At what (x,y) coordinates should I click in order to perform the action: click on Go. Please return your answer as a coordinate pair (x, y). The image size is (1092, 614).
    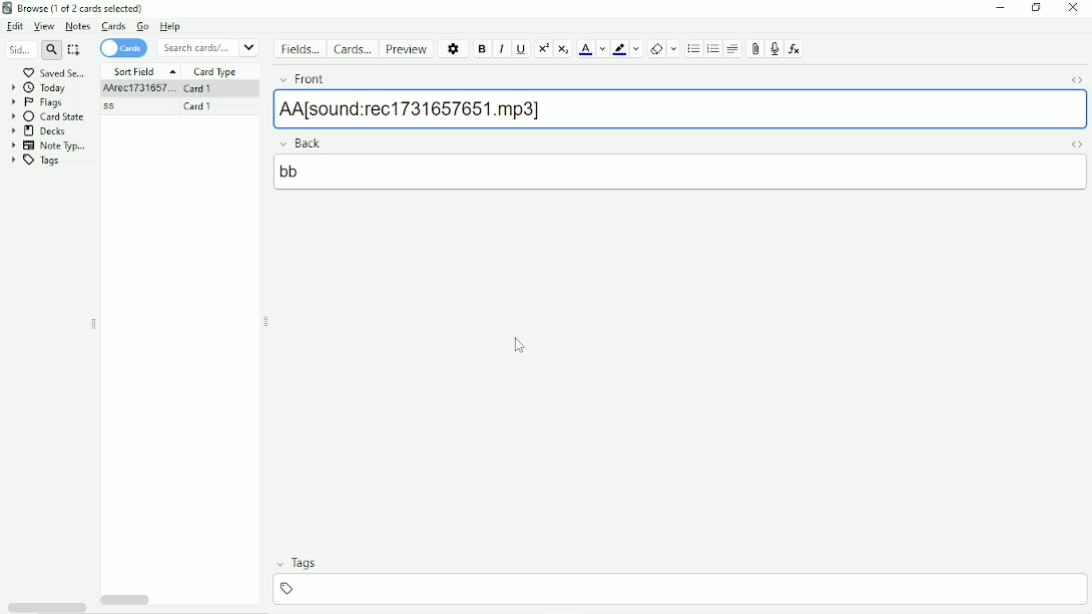
    Looking at the image, I should click on (143, 26).